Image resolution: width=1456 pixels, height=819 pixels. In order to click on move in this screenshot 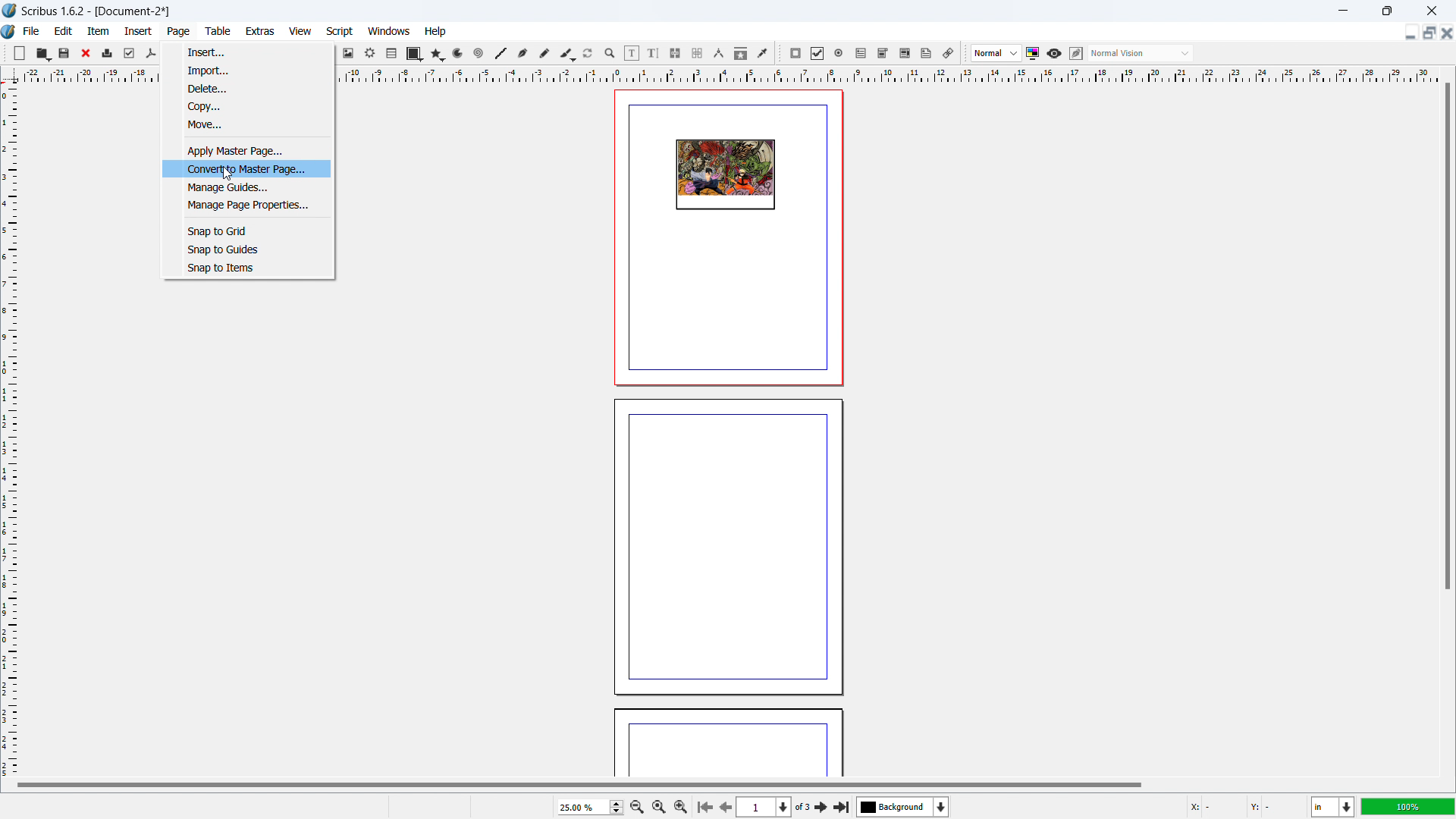, I will do `click(248, 125)`.